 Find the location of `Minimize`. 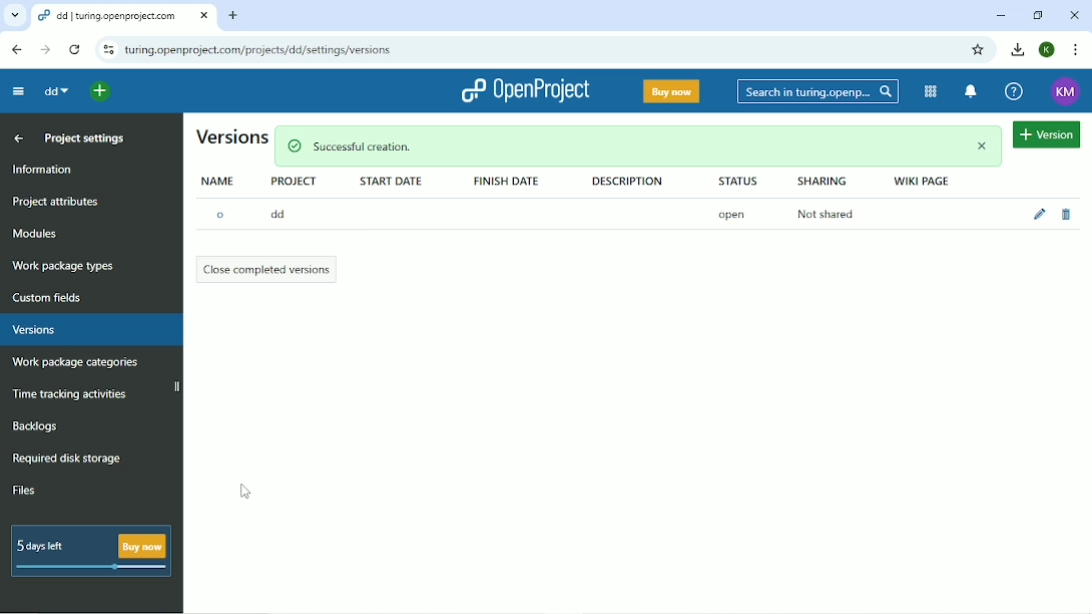

Minimize is located at coordinates (1001, 16).